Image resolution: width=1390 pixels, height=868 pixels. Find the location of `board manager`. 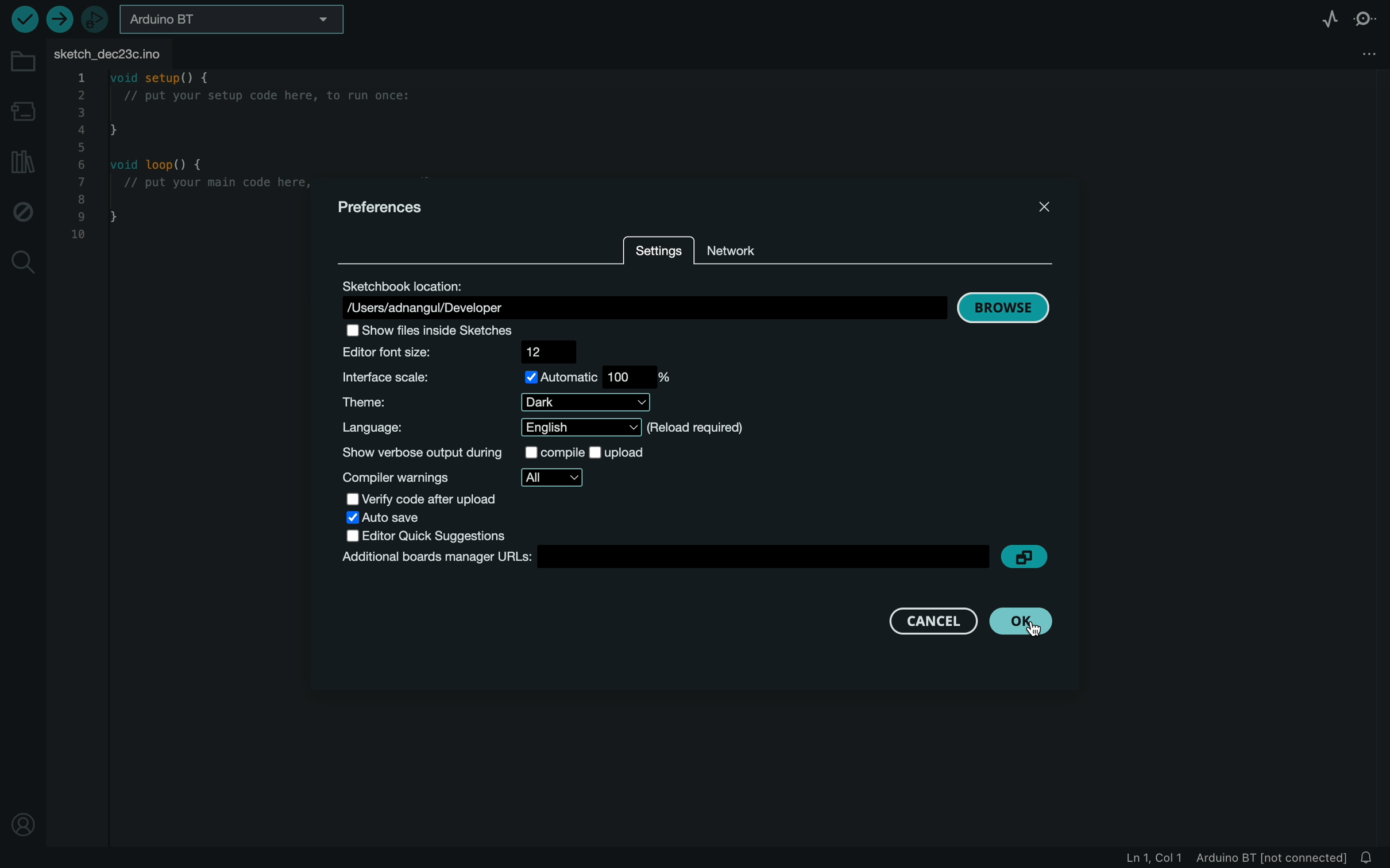

board manager is located at coordinates (661, 556).